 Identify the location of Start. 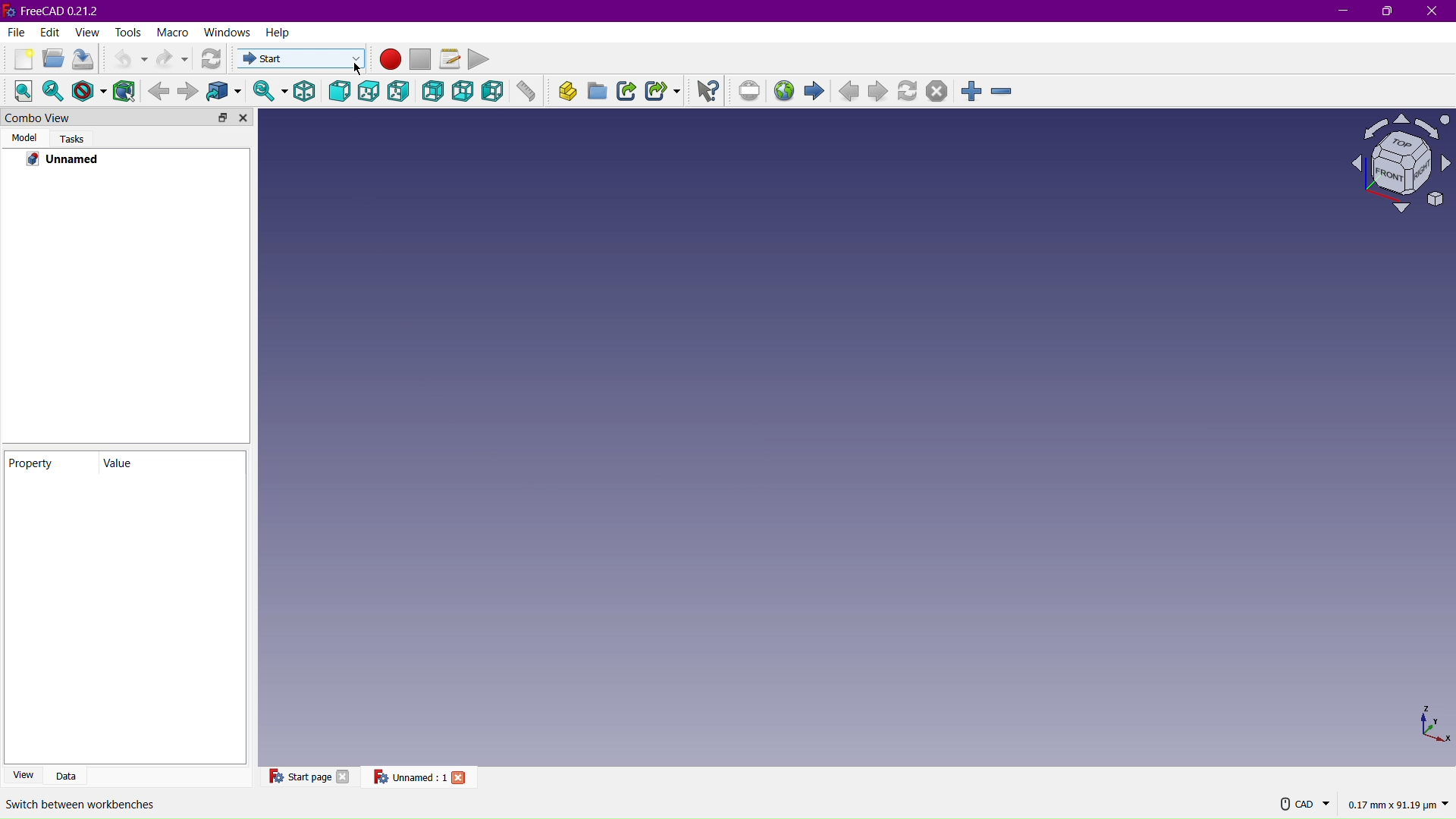
(299, 59).